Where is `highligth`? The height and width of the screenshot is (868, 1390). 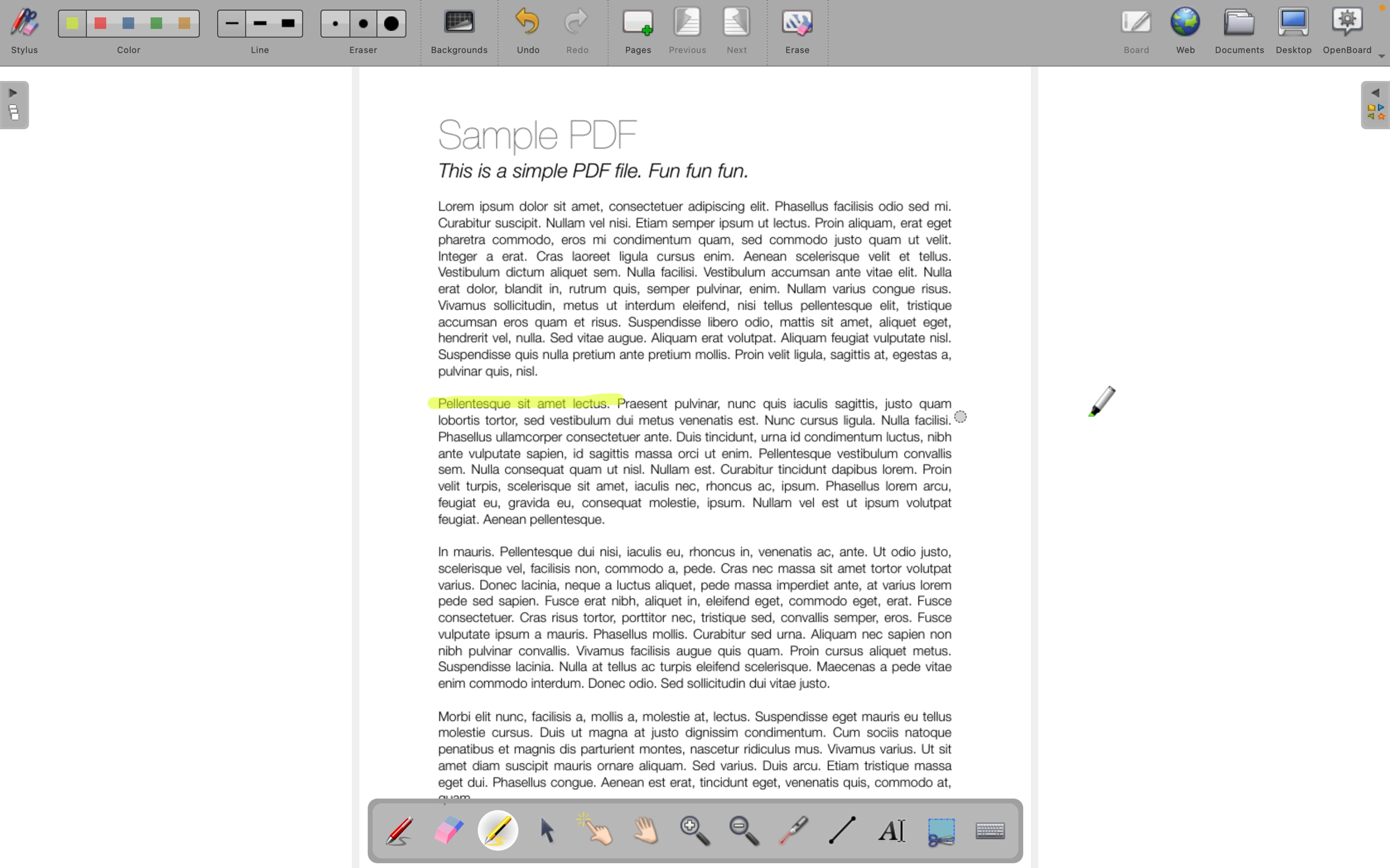
highligth is located at coordinates (501, 832).